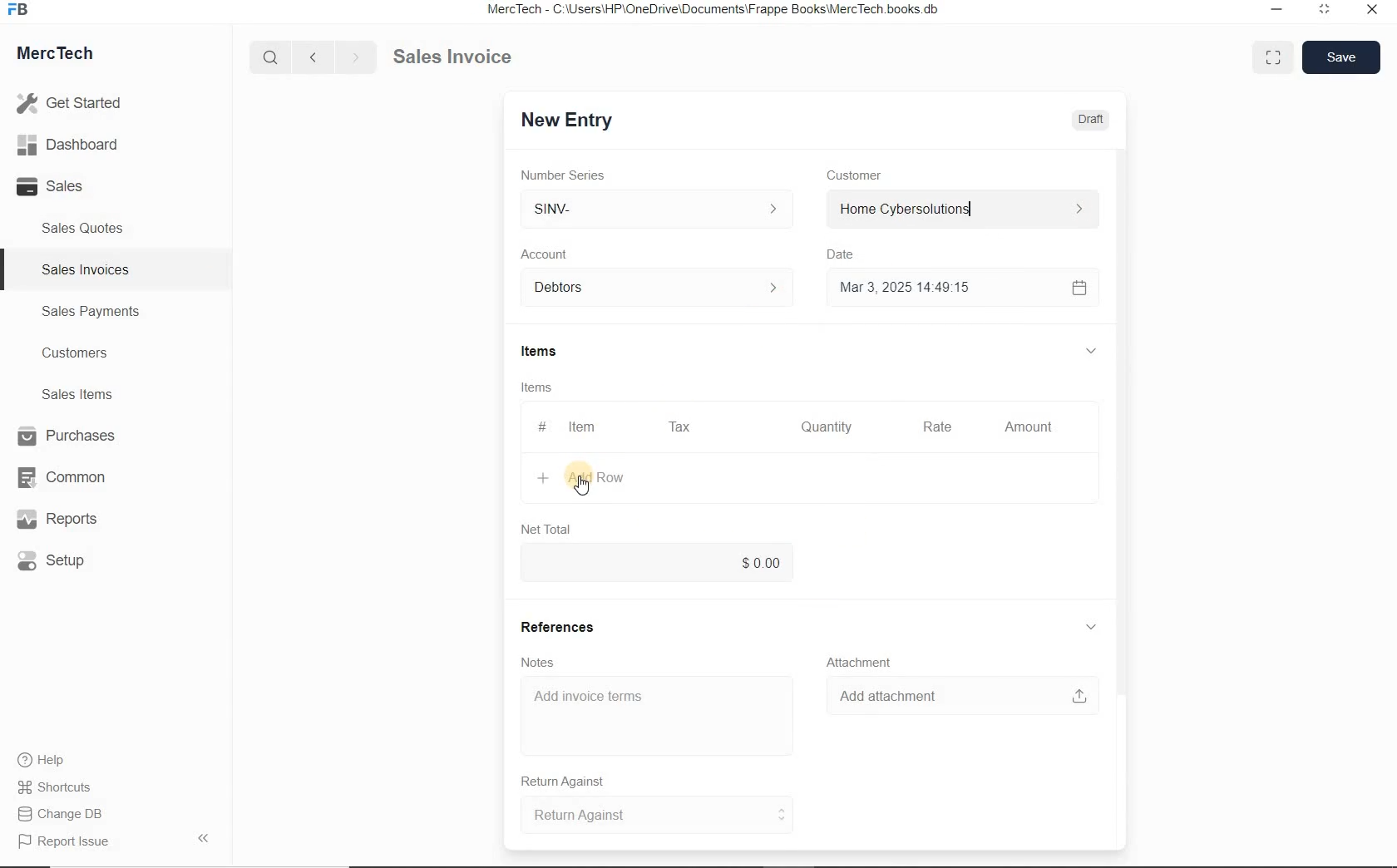  I want to click on Sales Invoices, so click(86, 269).